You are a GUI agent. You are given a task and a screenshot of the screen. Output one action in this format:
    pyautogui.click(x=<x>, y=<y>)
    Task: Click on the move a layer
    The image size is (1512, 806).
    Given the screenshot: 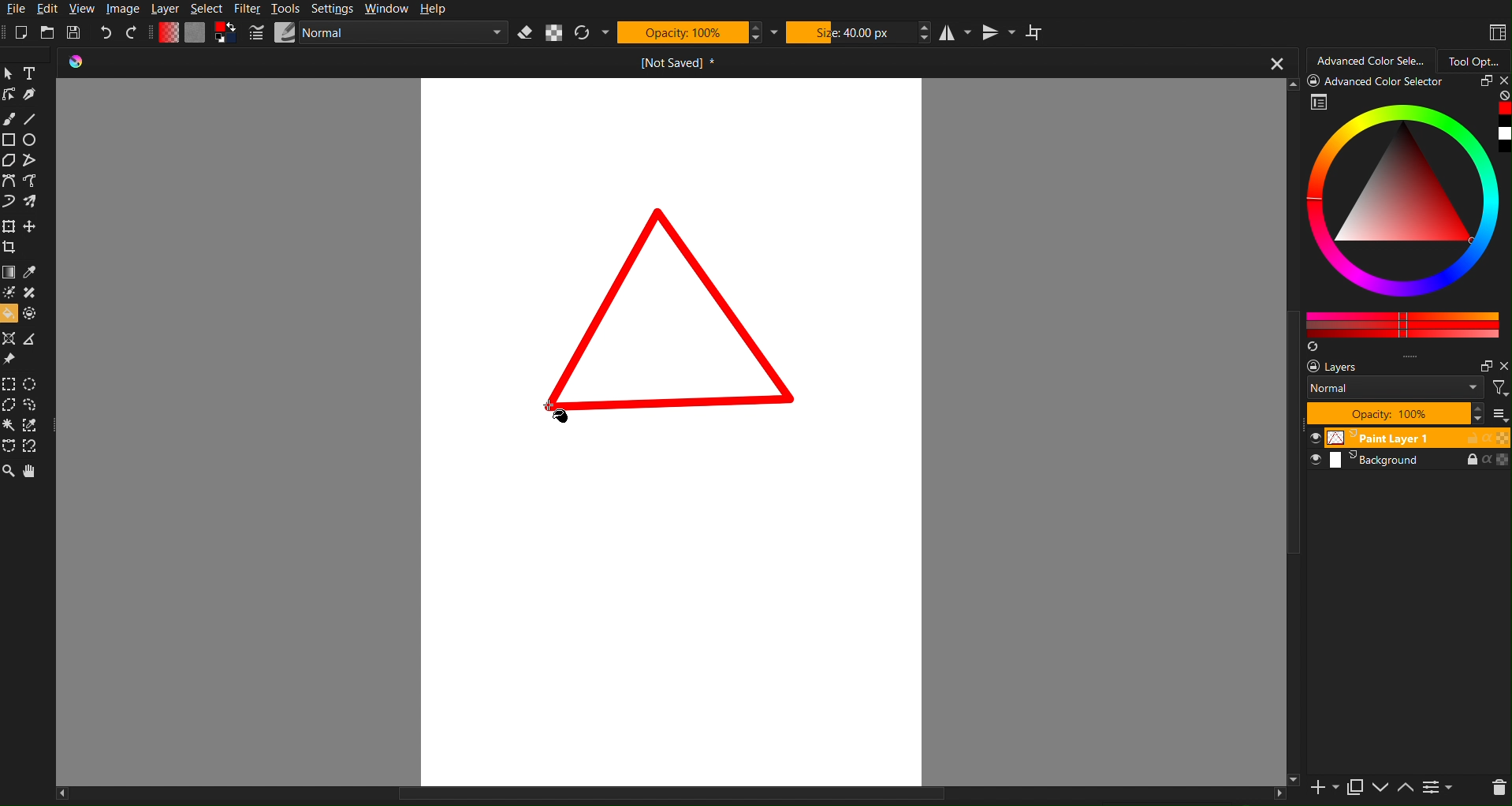 What is the action you would take?
    pyautogui.click(x=31, y=226)
    